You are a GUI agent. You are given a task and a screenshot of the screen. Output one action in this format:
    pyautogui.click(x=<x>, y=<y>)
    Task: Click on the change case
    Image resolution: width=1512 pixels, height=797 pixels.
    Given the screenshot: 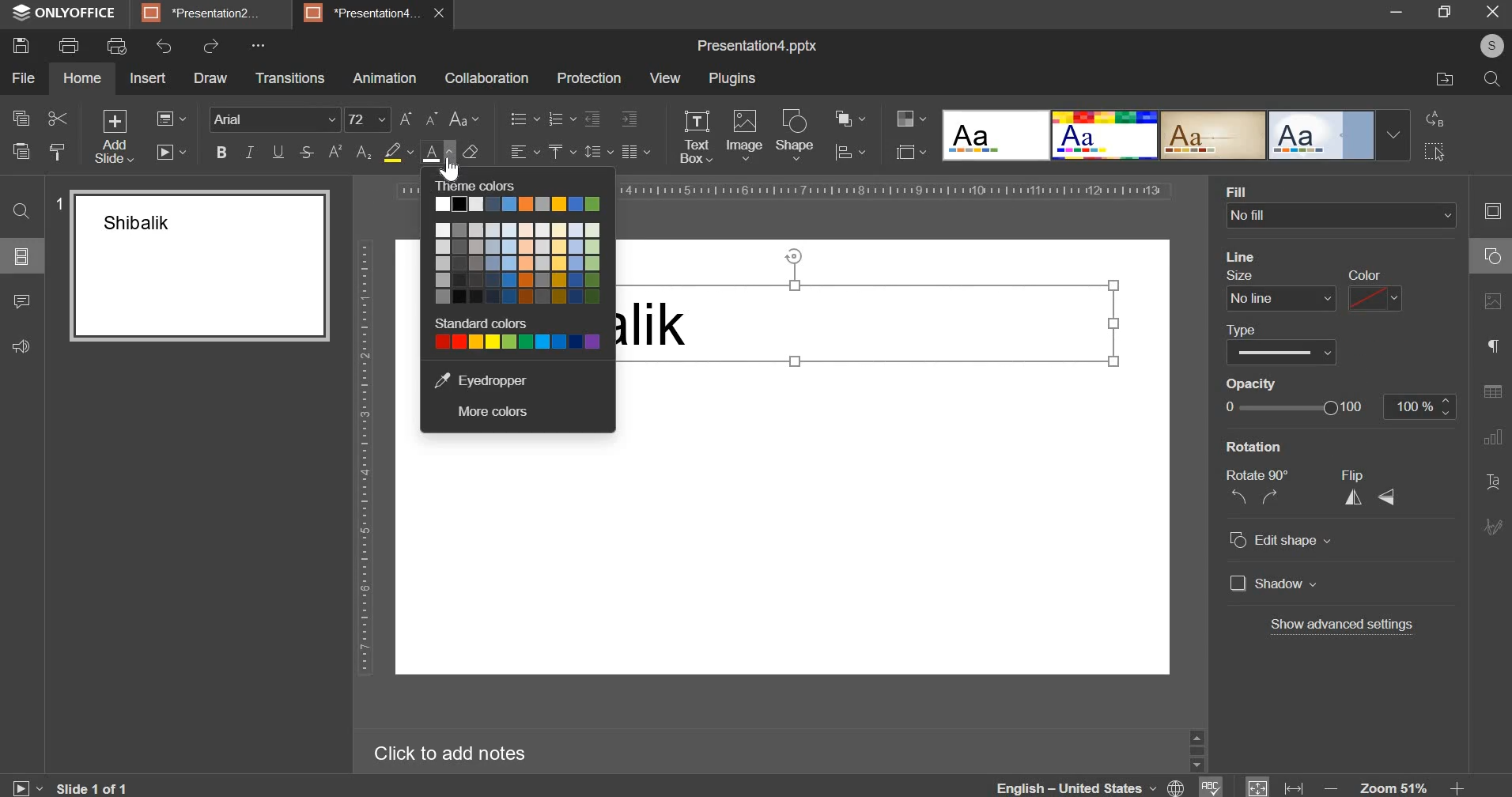 What is the action you would take?
    pyautogui.click(x=465, y=119)
    